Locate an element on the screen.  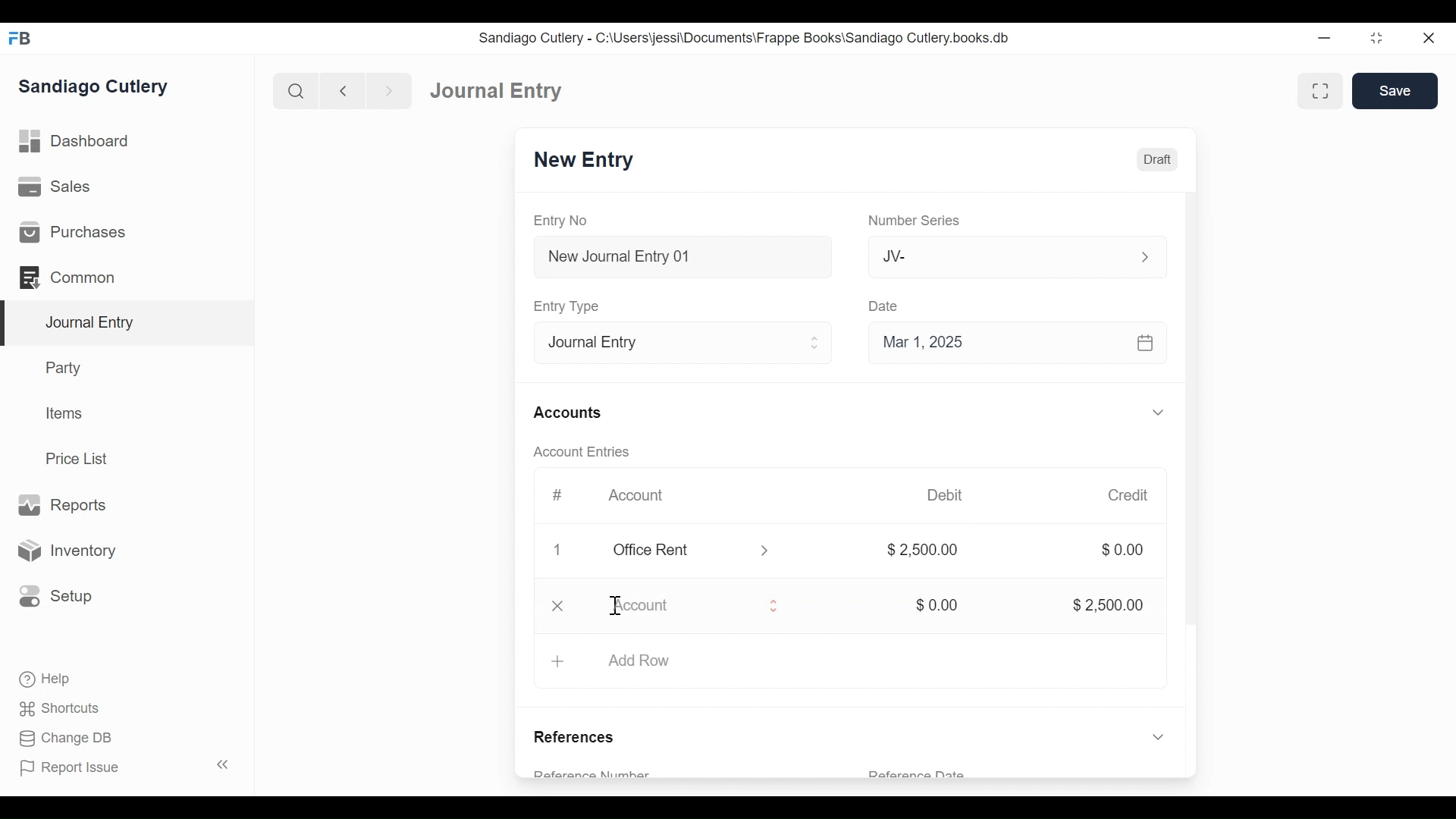
Account is located at coordinates (698, 608).